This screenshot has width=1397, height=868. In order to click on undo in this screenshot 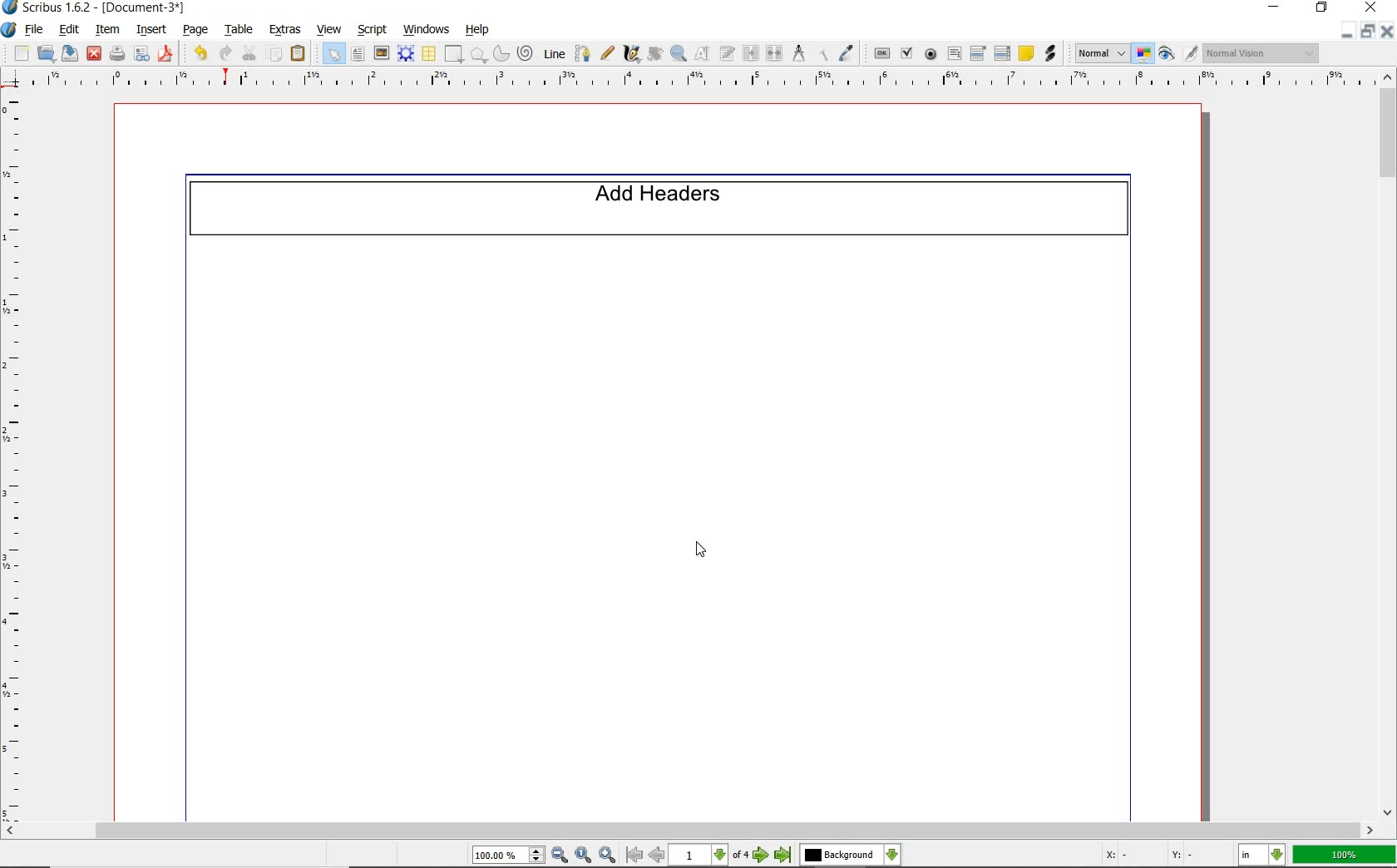, I will do `click(200, 54)`.